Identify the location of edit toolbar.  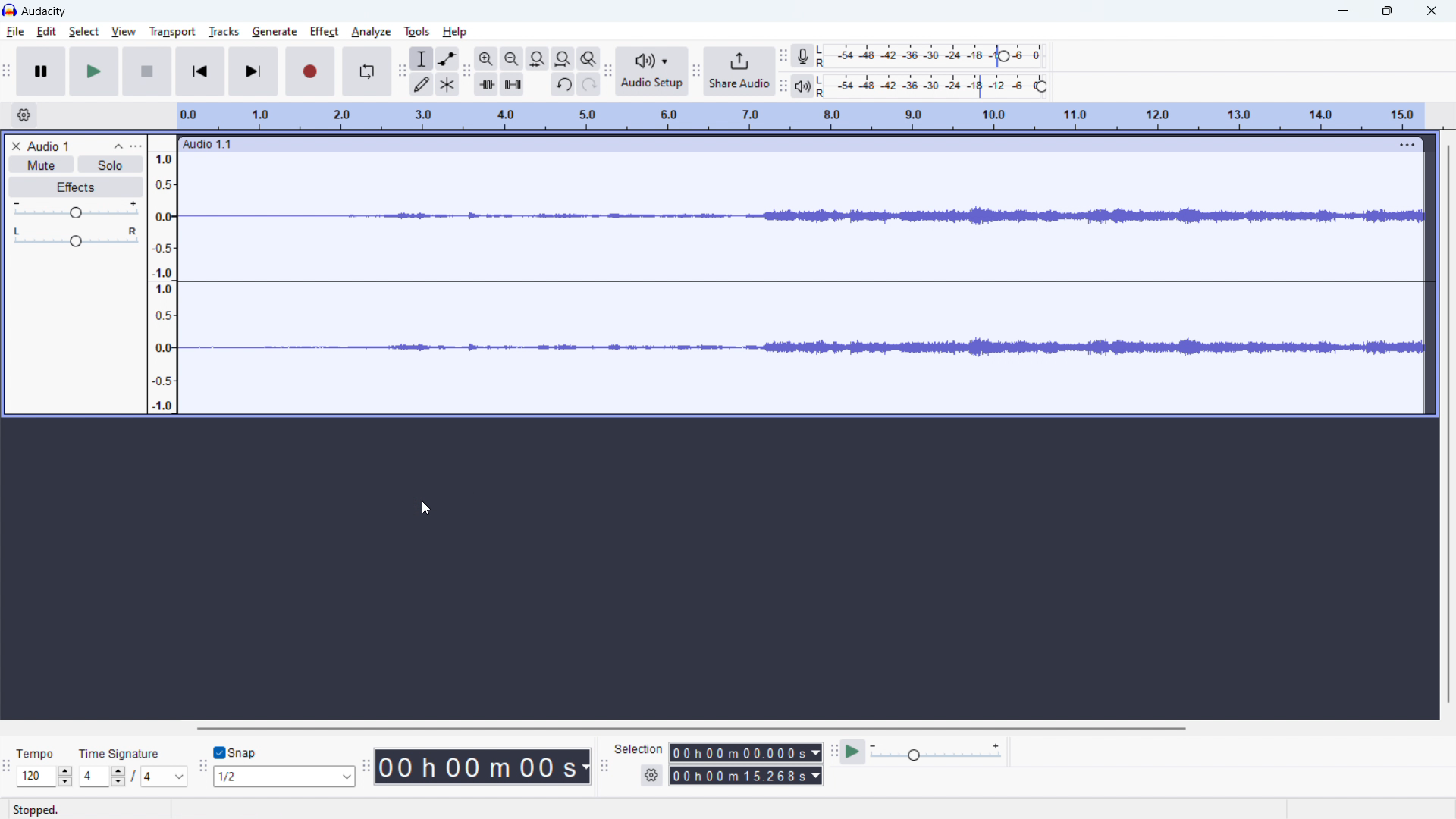
(466, 71).